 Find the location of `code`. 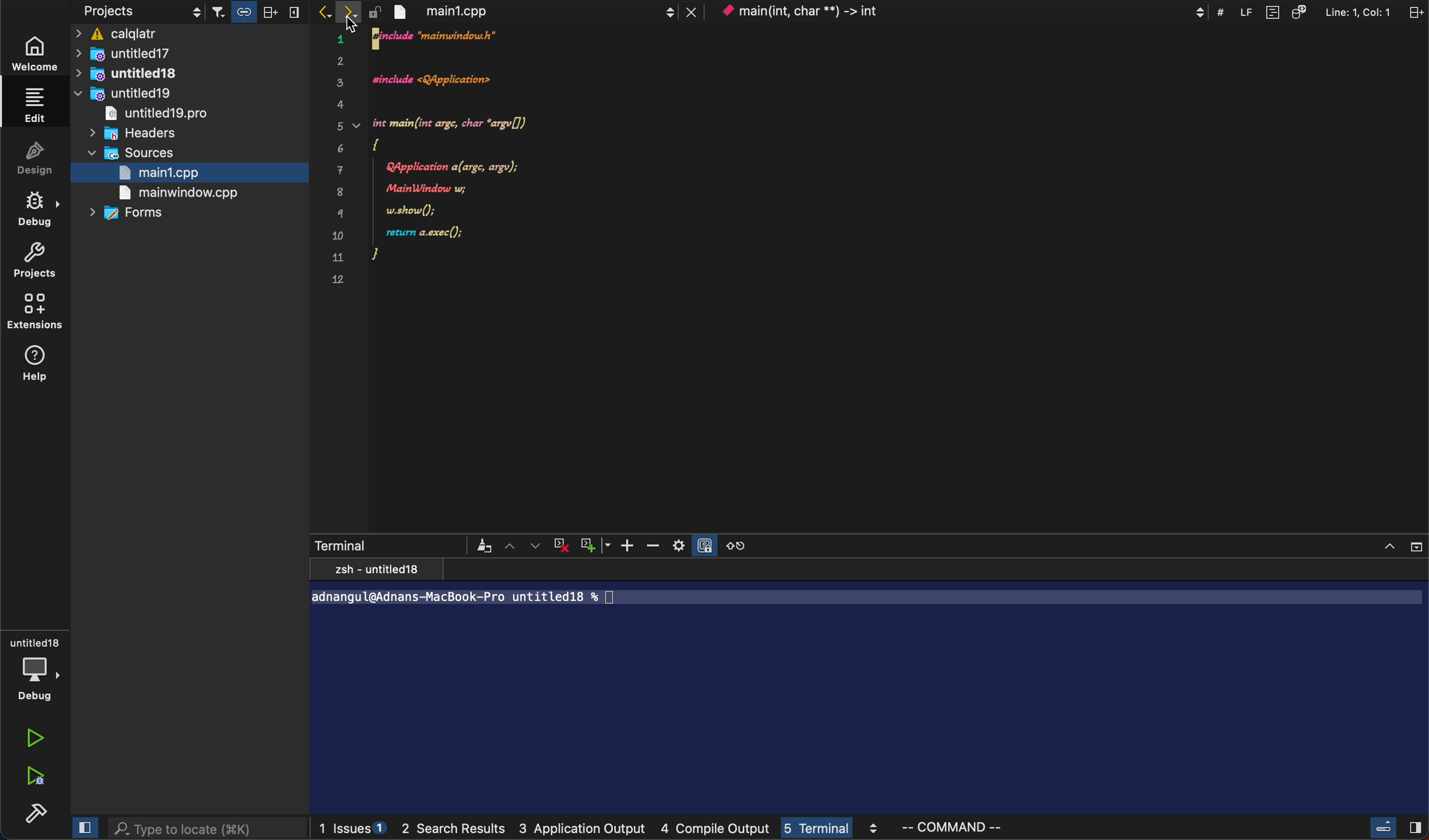

code is located at coordinates (448, 164).